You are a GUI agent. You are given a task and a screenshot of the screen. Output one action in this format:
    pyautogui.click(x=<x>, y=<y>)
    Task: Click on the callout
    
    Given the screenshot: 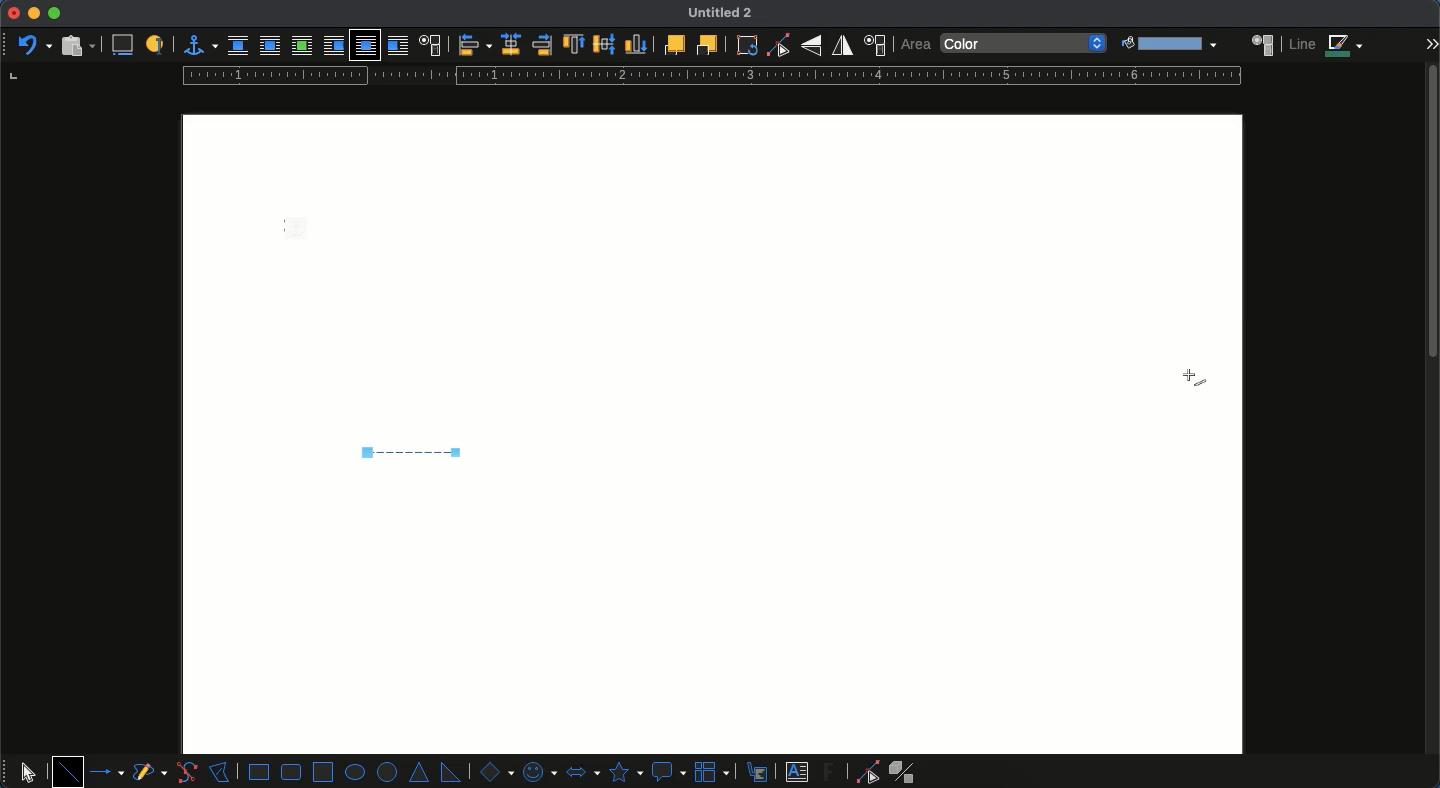 What is the action you would take?
    pyautogui.click(x=668, y=772)
    